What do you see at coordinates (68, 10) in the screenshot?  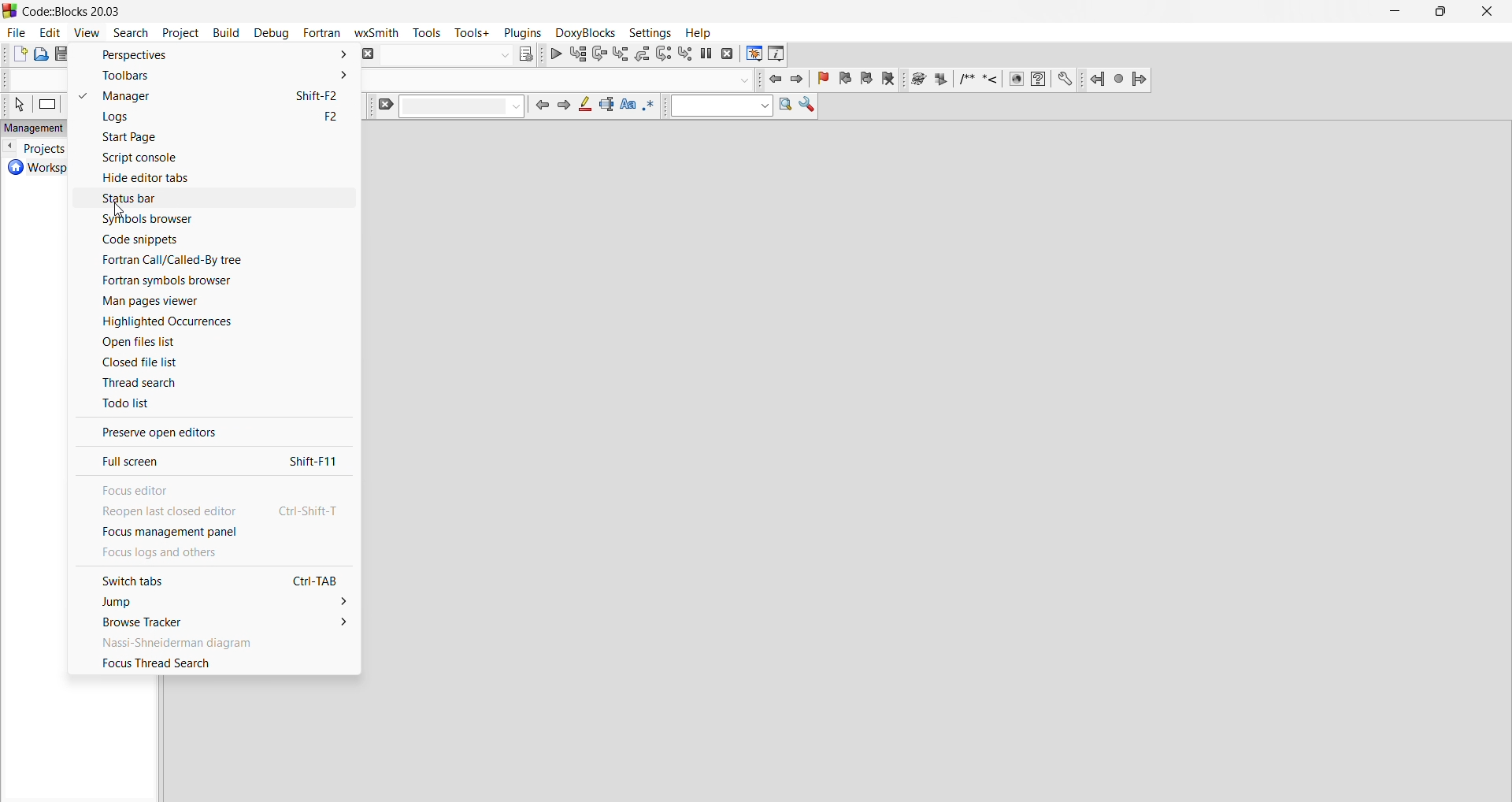 I see `Code::Blocks 20.03` at bounding box center [68, 10].